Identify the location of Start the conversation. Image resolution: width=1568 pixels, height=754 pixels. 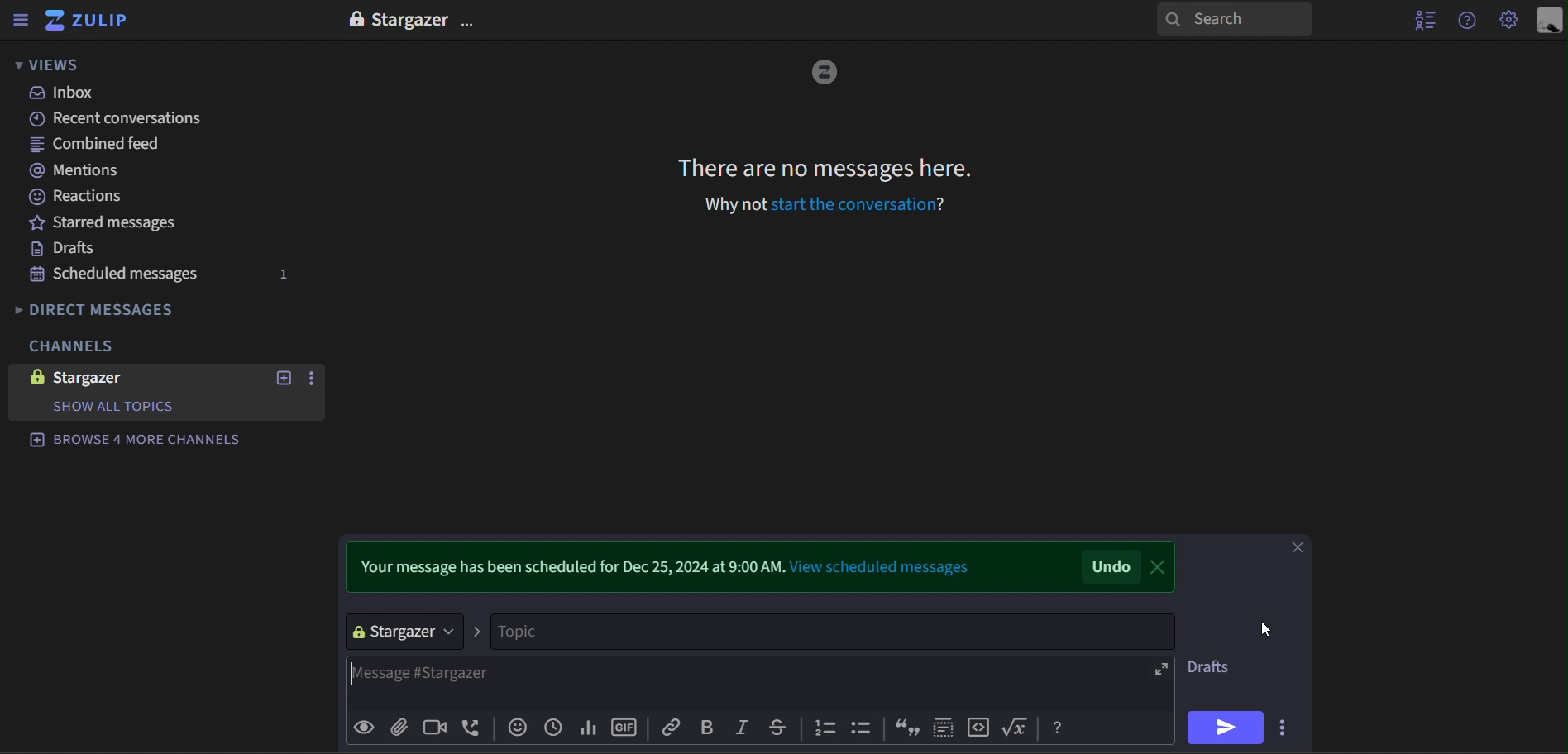
(860, 204).